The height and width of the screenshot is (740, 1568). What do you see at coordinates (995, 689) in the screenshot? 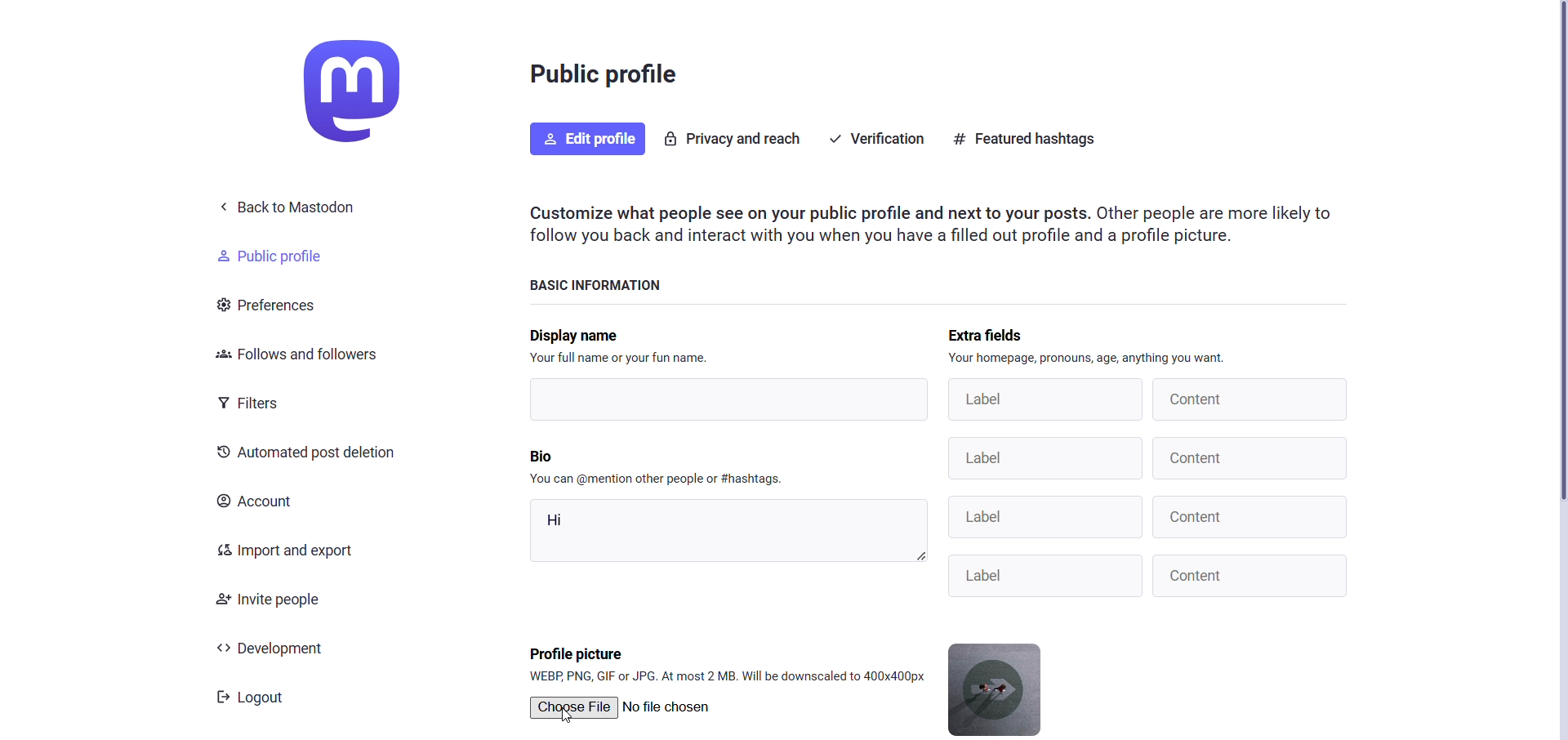
I see `current profile picture` at bounding box center [995, 689].